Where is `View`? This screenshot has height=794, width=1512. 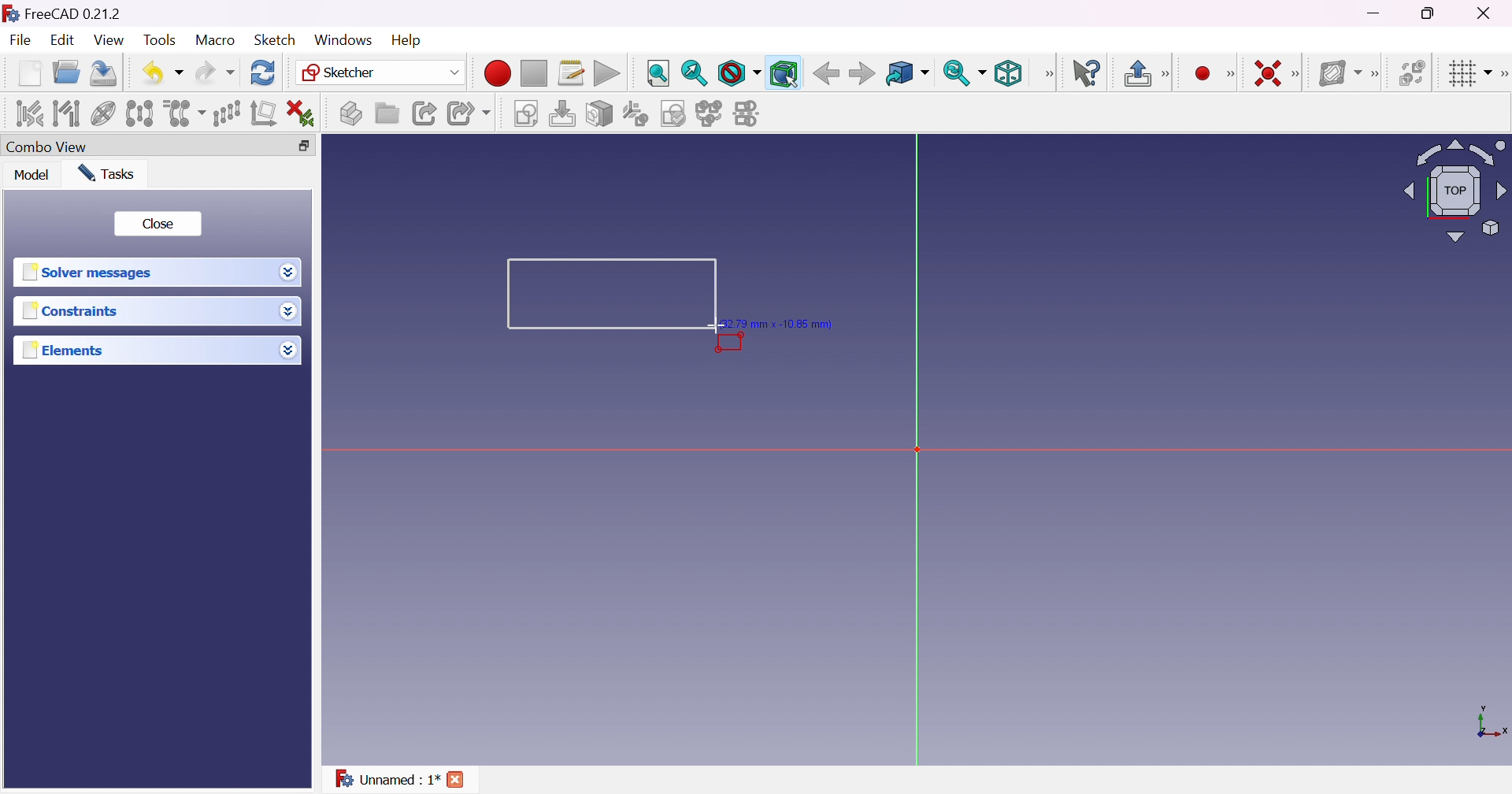
View is located at coordinates (109, 39).